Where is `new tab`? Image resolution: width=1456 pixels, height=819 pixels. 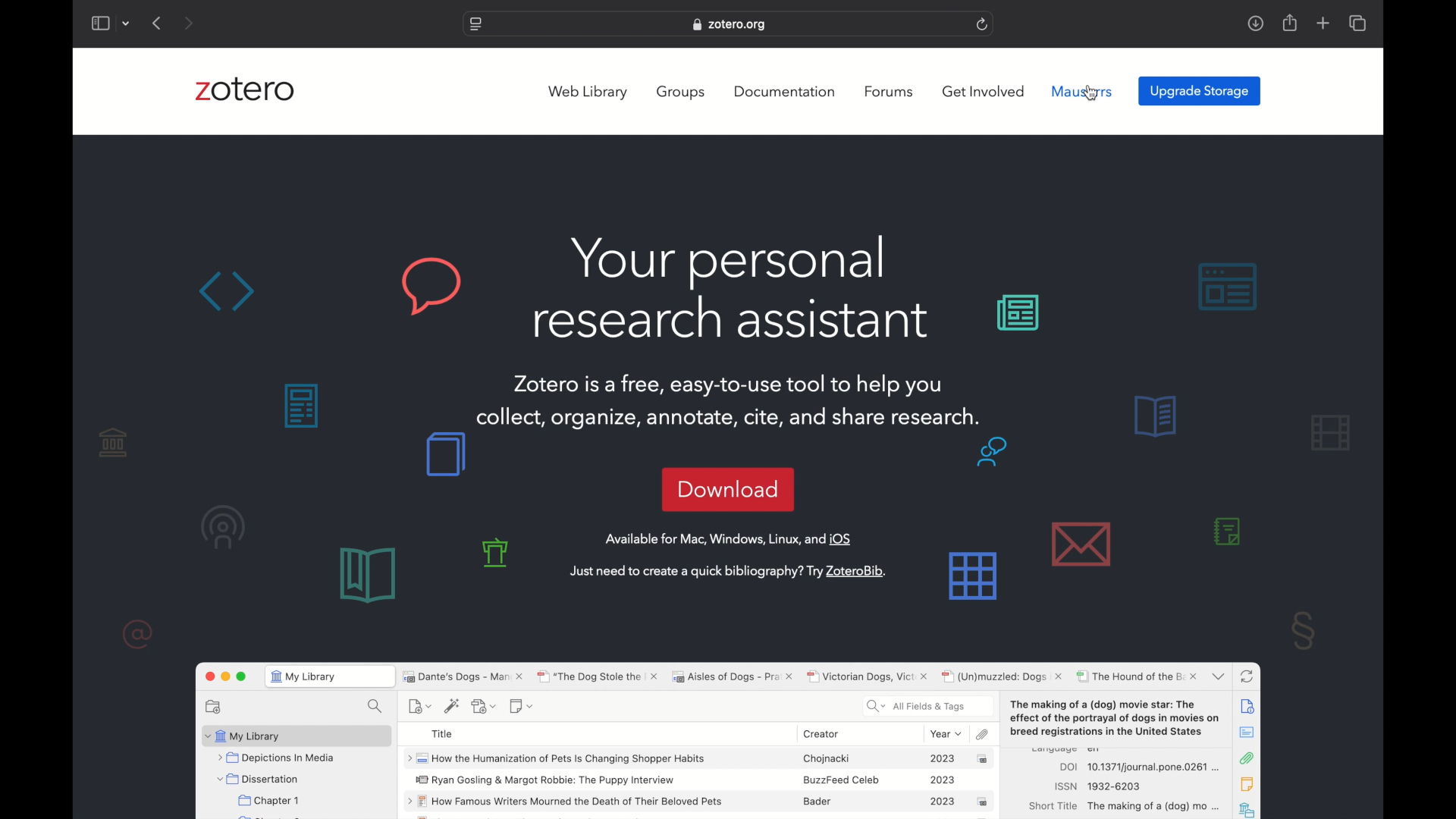
new tab is located at coordinates (1323, 23).